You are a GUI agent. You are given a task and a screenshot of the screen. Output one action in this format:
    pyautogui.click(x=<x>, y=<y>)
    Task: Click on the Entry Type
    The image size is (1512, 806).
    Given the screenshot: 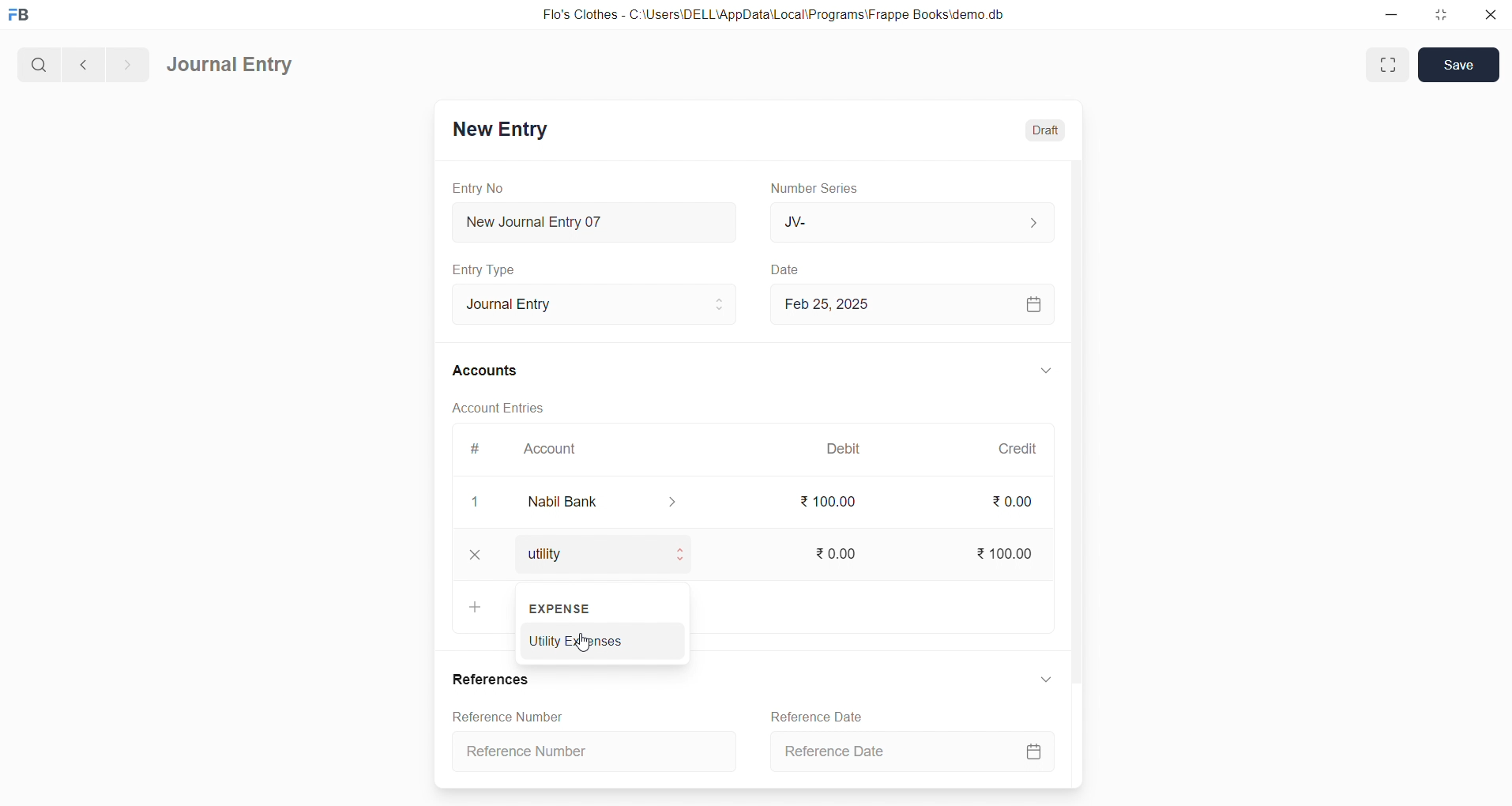 What is the action you would take?
    pyautogui.click(x=485, y=269)
    